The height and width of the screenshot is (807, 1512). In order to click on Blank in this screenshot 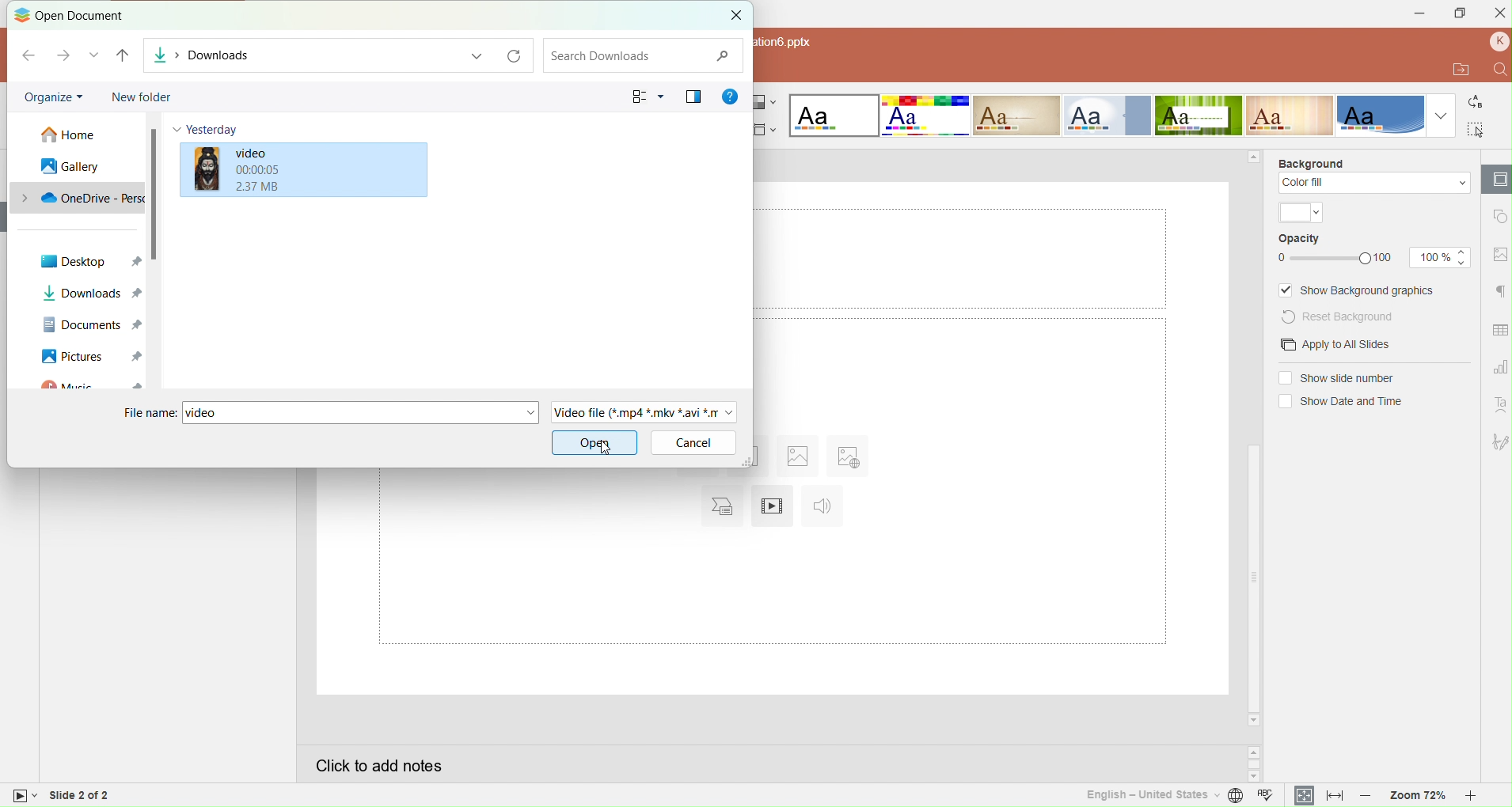, I will do `click(834, 116)`.